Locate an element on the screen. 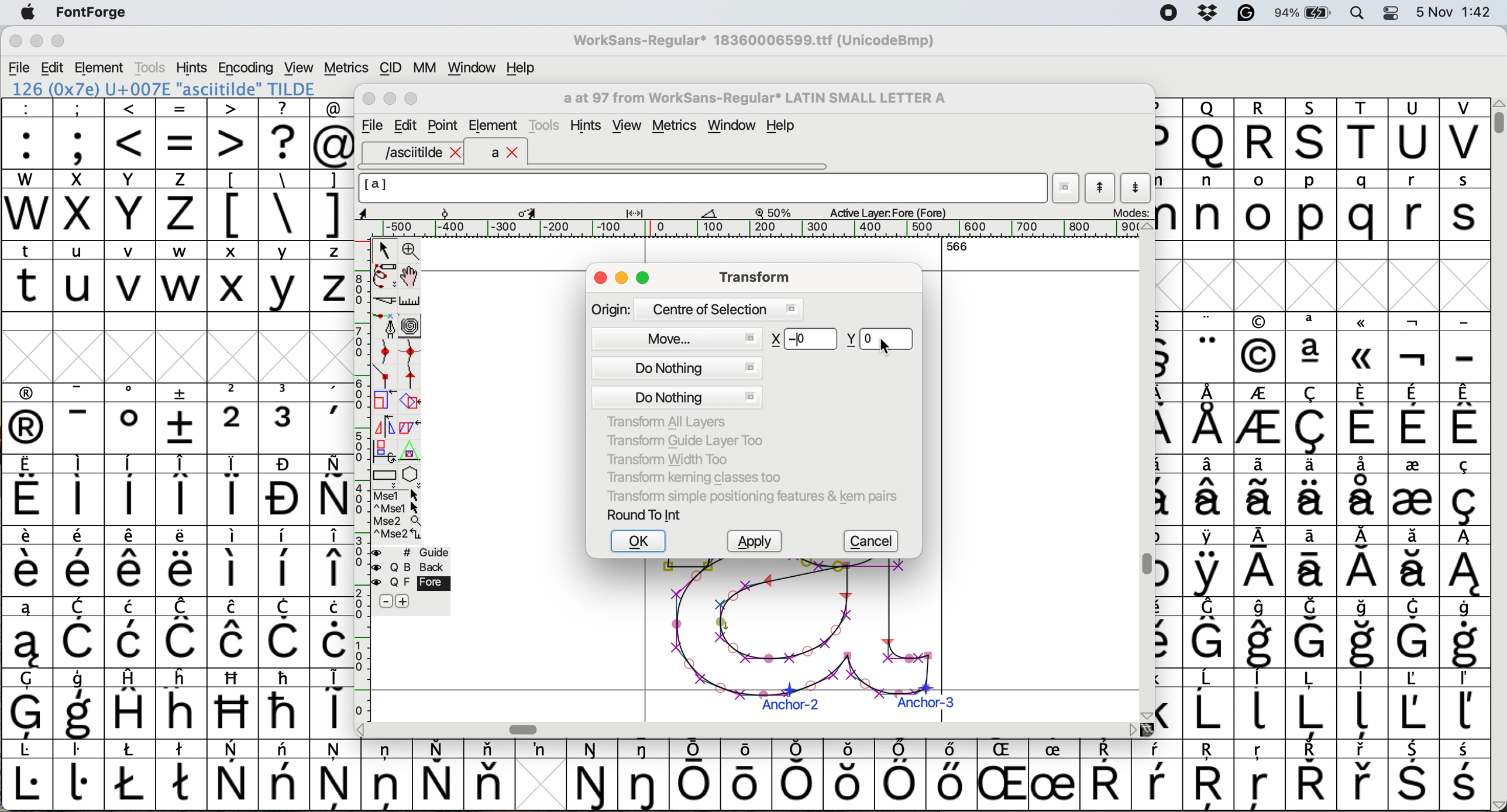 The width and height of the screenshot is (1507, 812). remove is located at coordinates (386, 602).